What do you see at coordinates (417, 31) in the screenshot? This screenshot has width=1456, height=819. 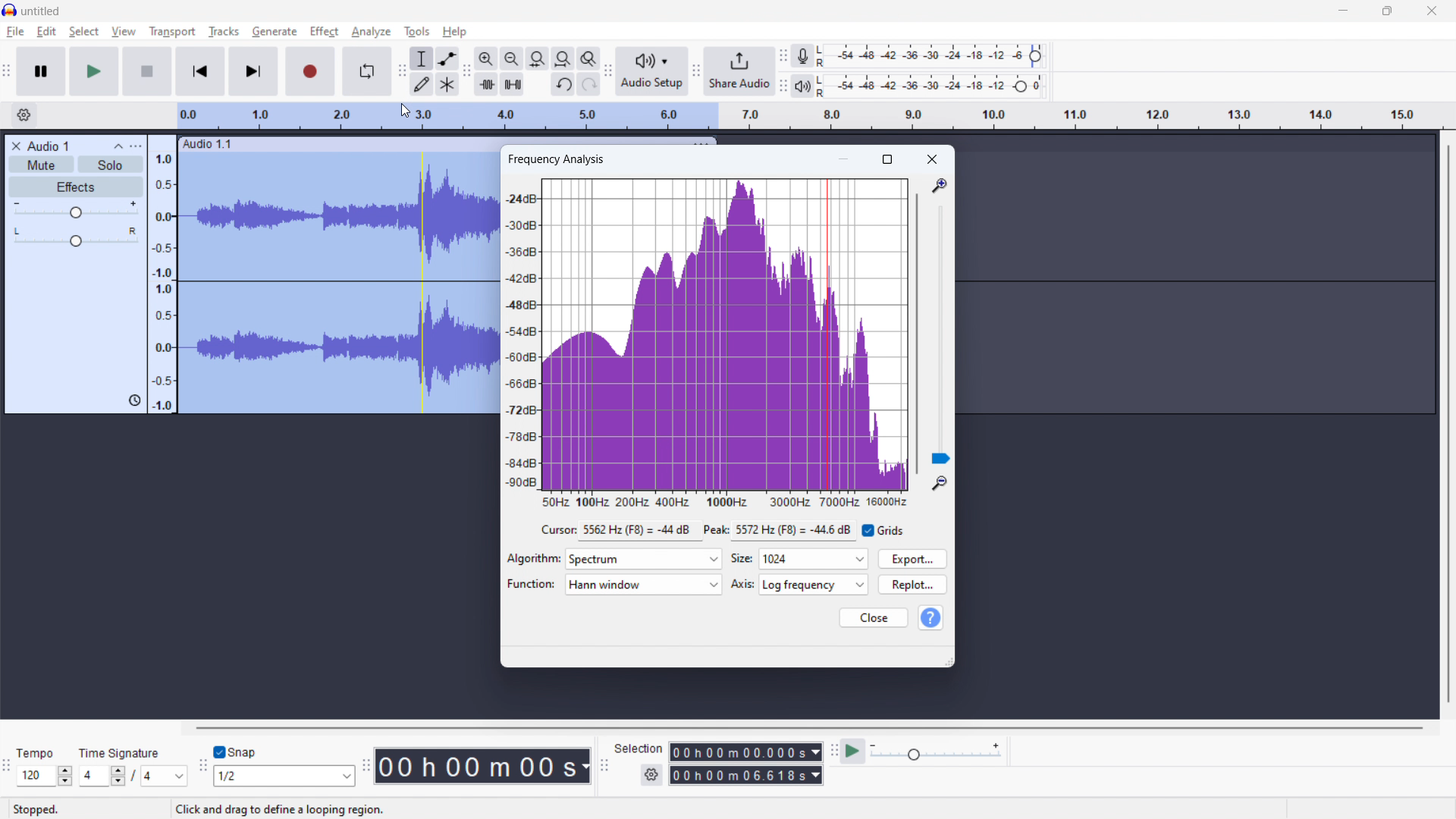 I see `tools` at bounding box center [417, 31].